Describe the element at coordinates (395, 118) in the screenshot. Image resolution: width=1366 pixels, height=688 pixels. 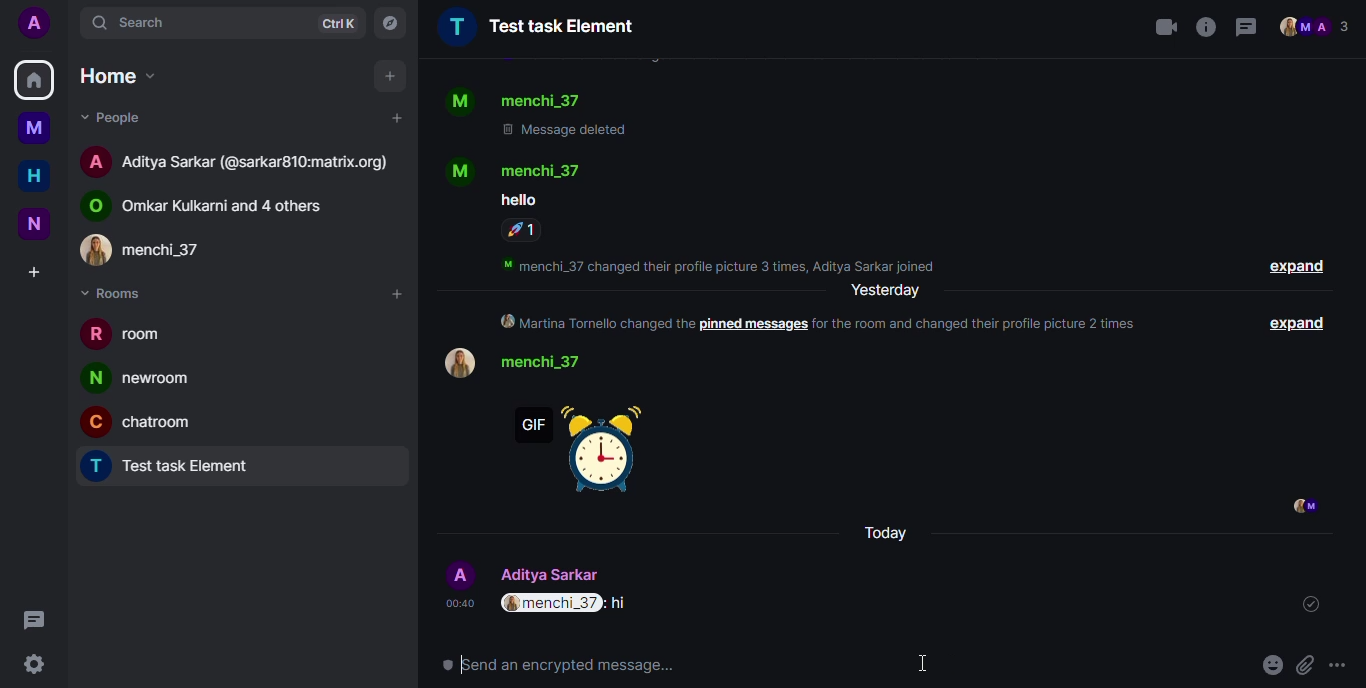
I see `add` at that location.